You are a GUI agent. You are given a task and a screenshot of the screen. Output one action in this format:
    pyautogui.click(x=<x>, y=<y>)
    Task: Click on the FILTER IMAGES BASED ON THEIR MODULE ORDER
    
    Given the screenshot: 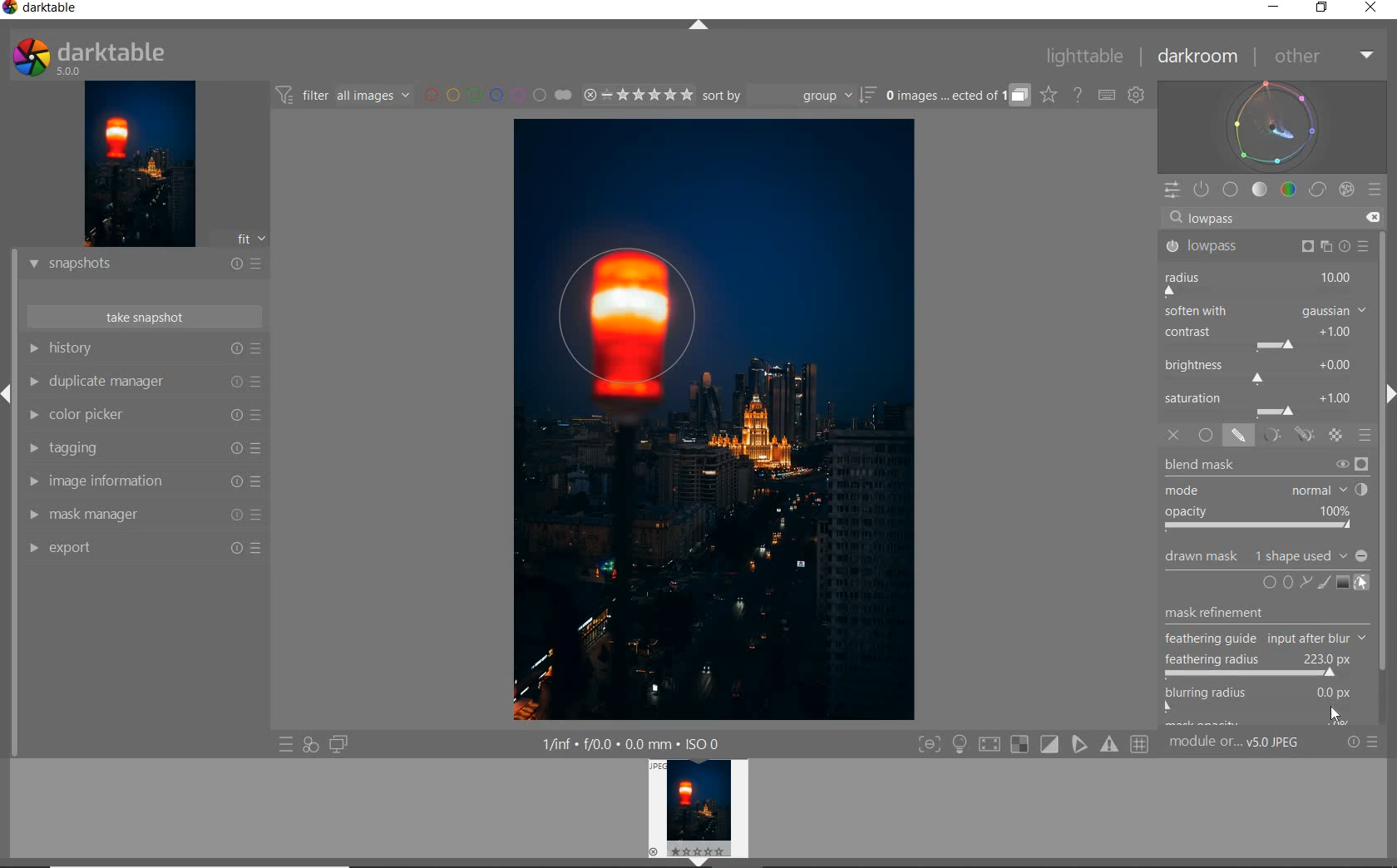 What is the action you would take?
    pyautogui.click(x=345, y=96)
    